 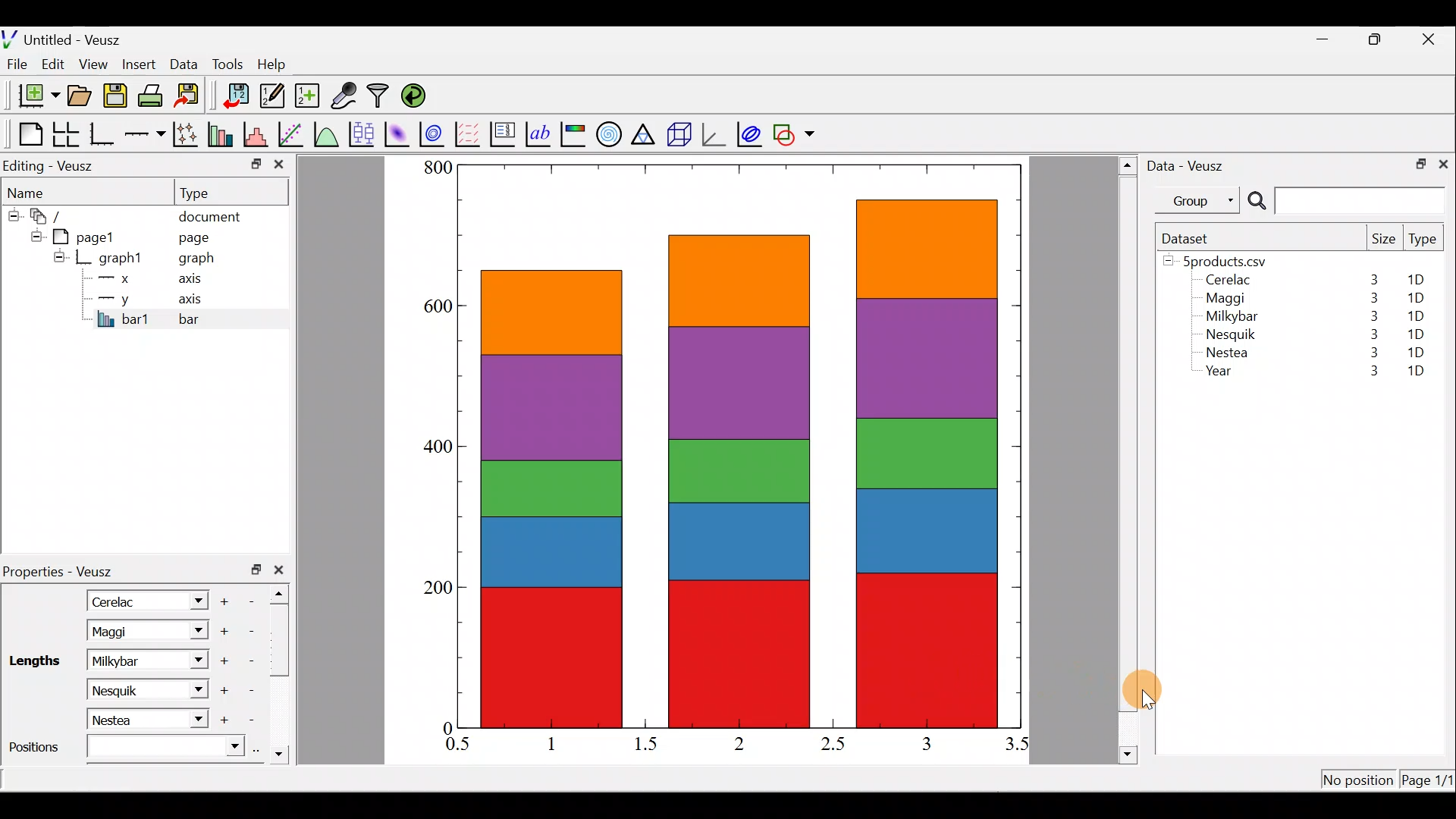 I want to click on 2.5, so click(x=833, y=744).